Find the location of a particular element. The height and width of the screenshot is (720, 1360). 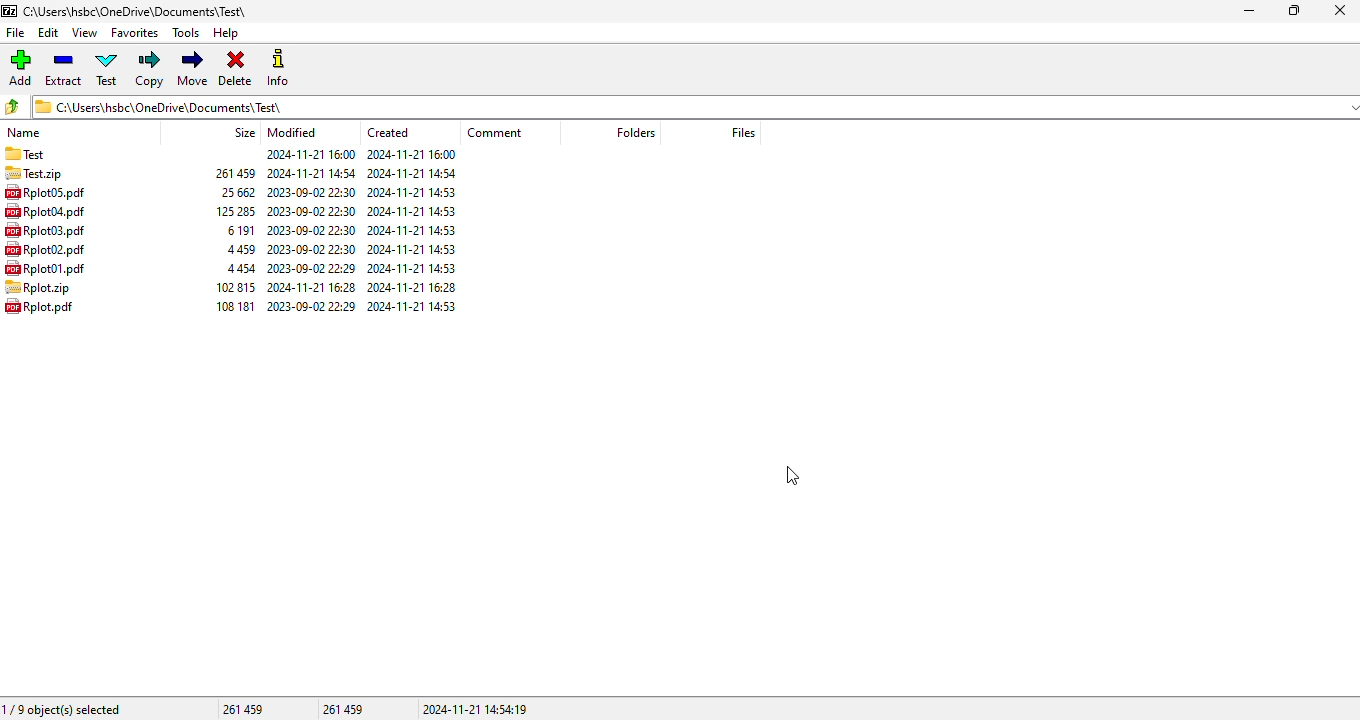

created date & time is located at coordinates (411, 305).